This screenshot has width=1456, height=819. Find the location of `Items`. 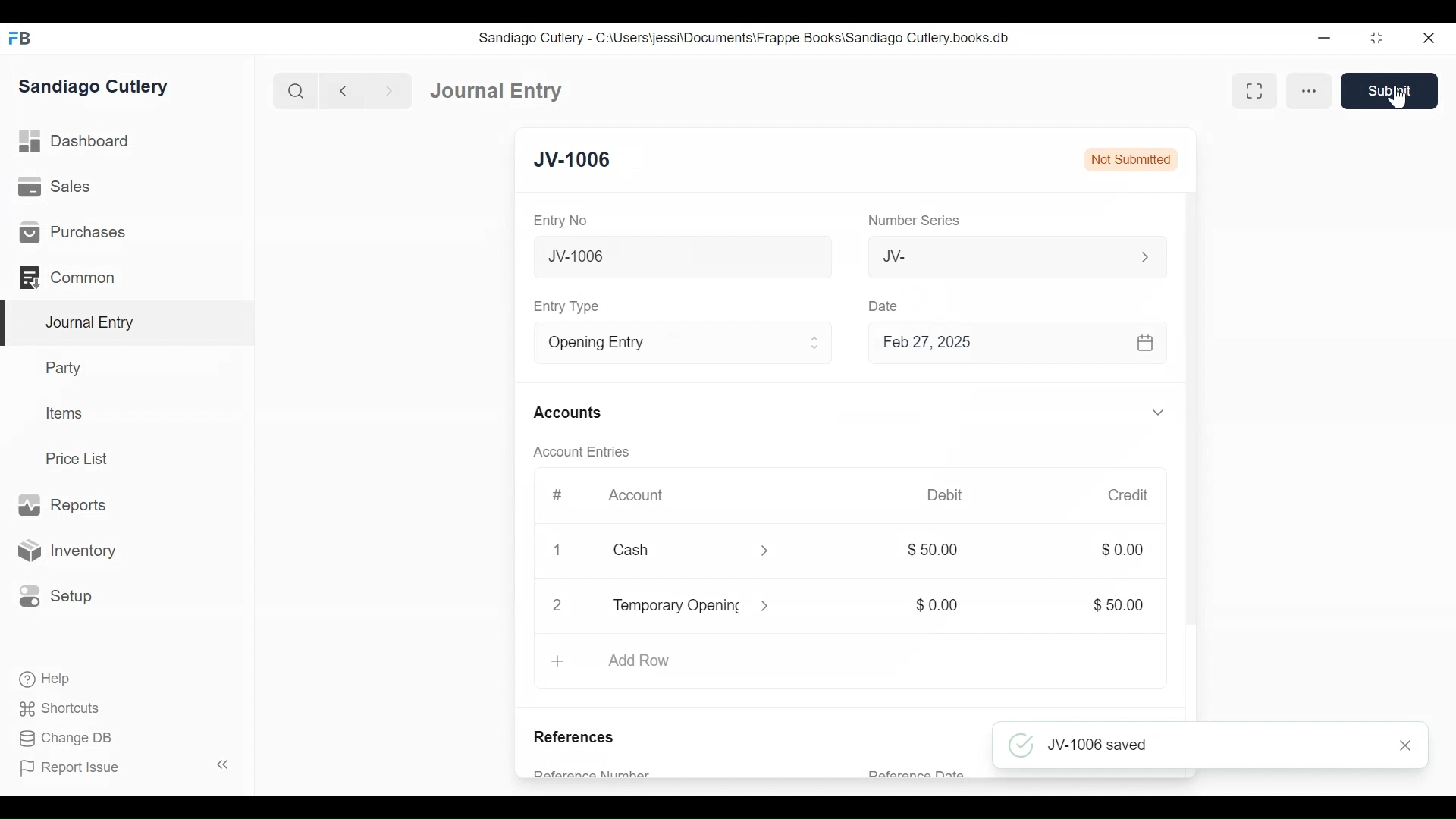

Items is located at coordinates (62, 413).